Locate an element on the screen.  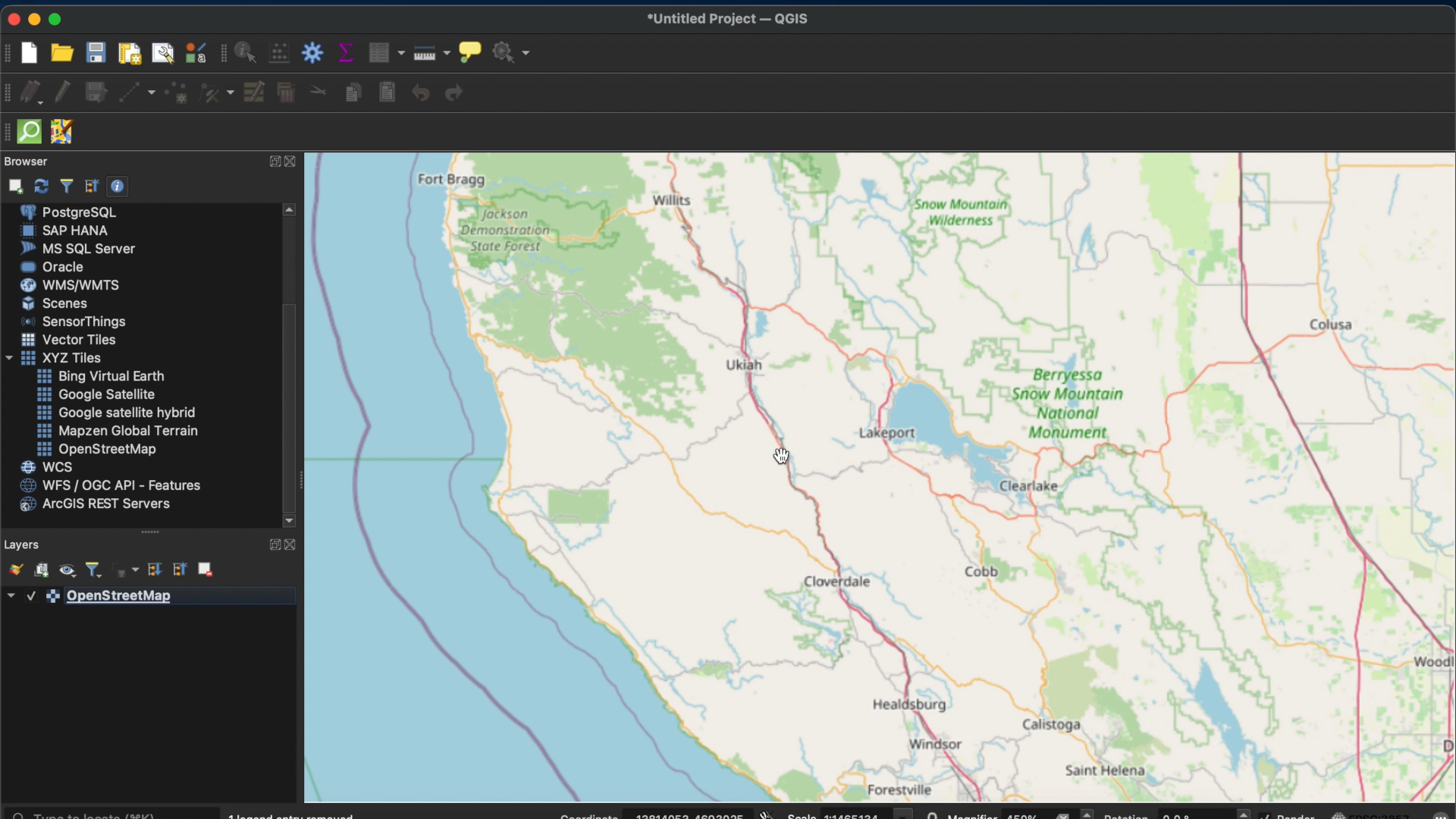
Quick OSM is located at coordinates (30, 132).